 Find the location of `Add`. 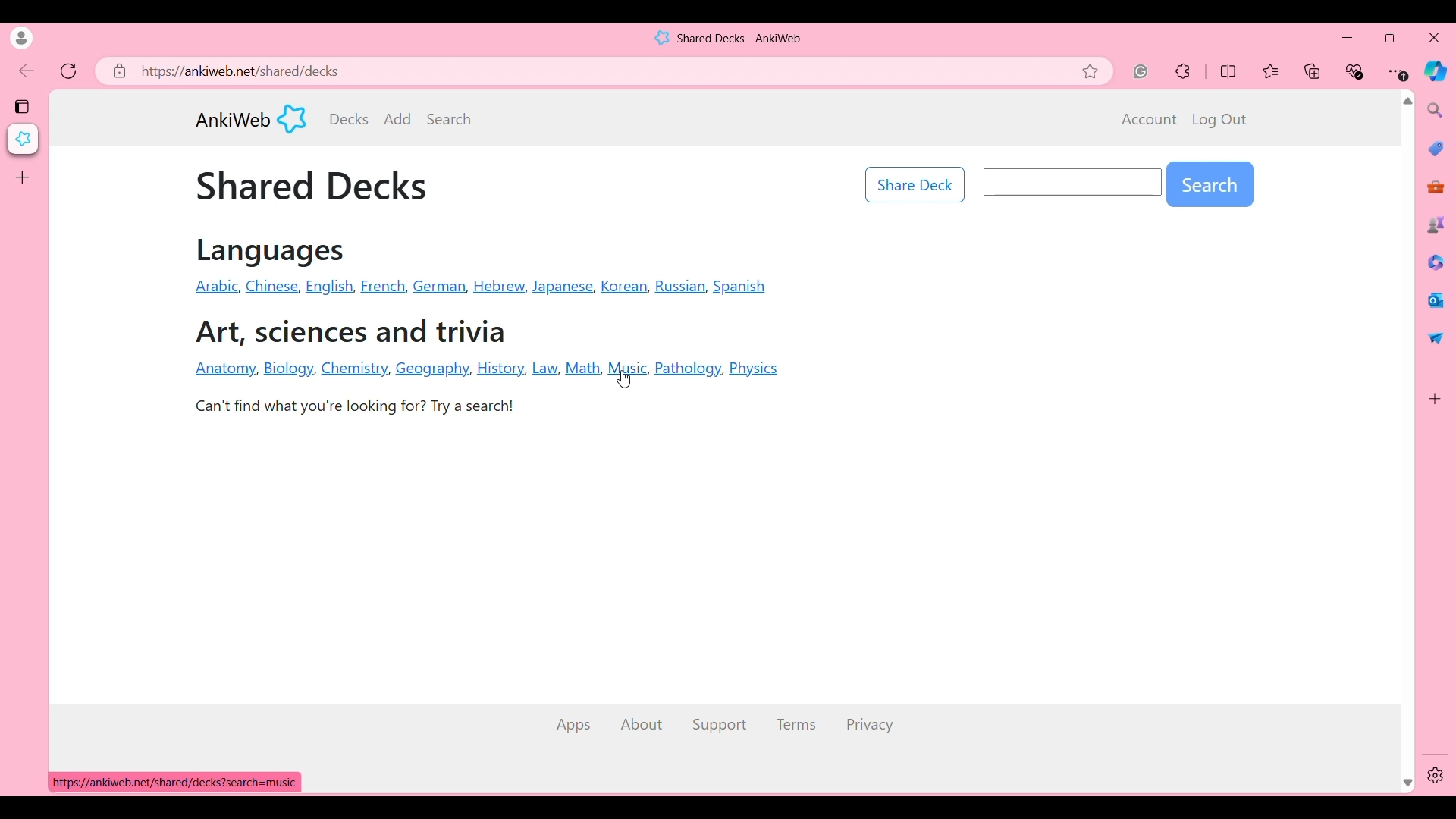

Add is located at coordinates (398, 118).